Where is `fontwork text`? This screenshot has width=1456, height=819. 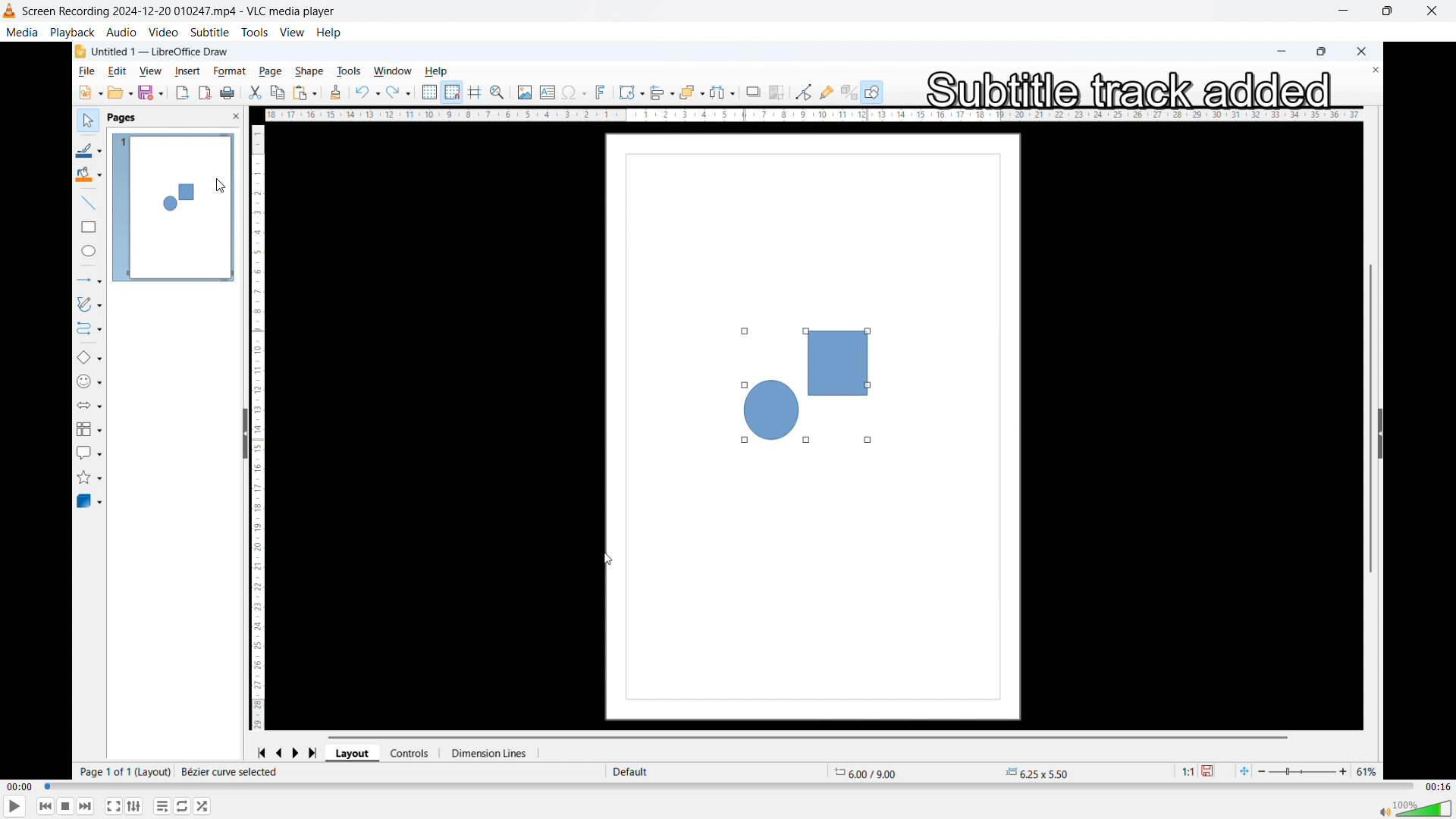
fontwork text is located at coordinates (604, 93).